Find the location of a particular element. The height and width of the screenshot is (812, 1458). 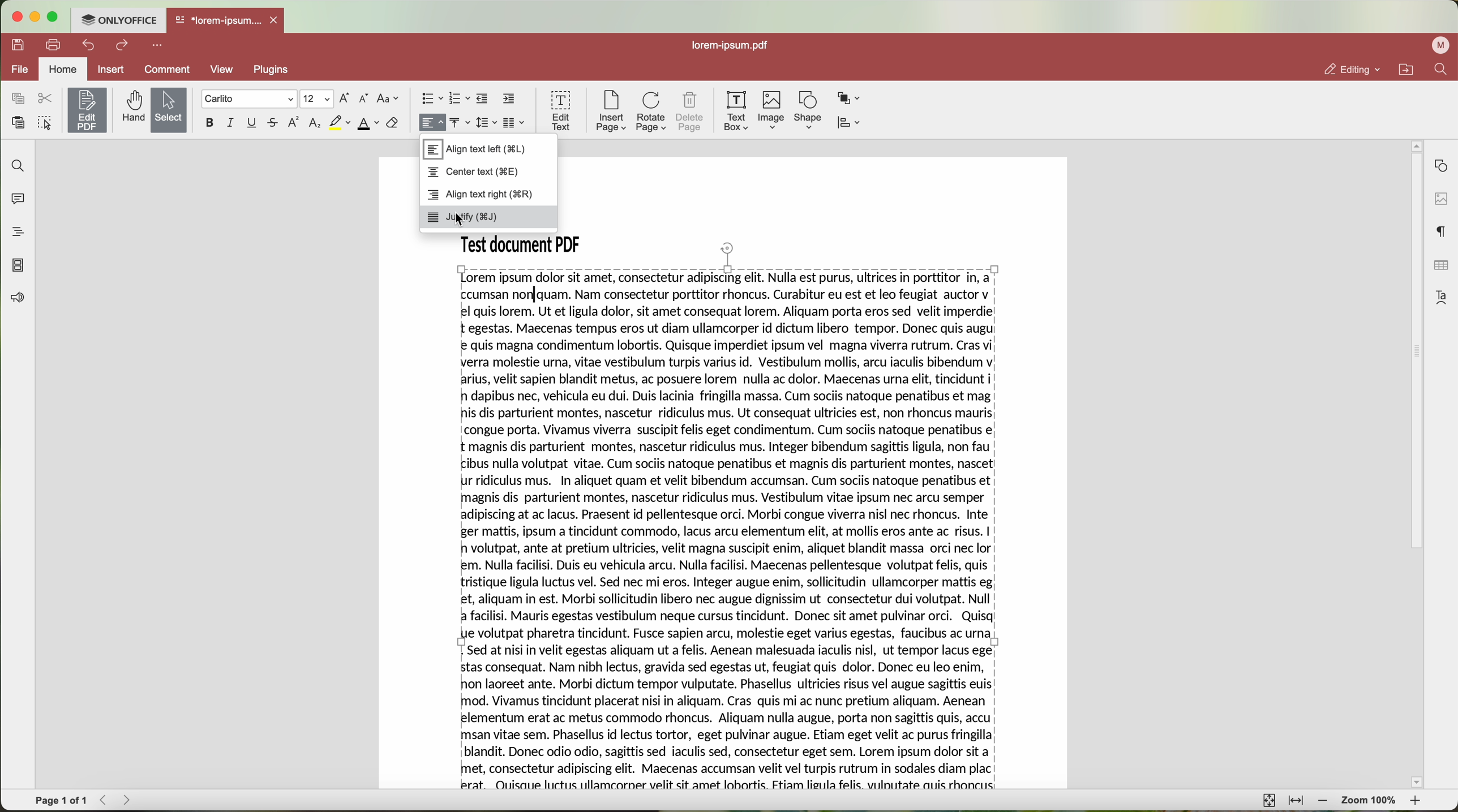

table settings is located at coordinates (1442, 268).